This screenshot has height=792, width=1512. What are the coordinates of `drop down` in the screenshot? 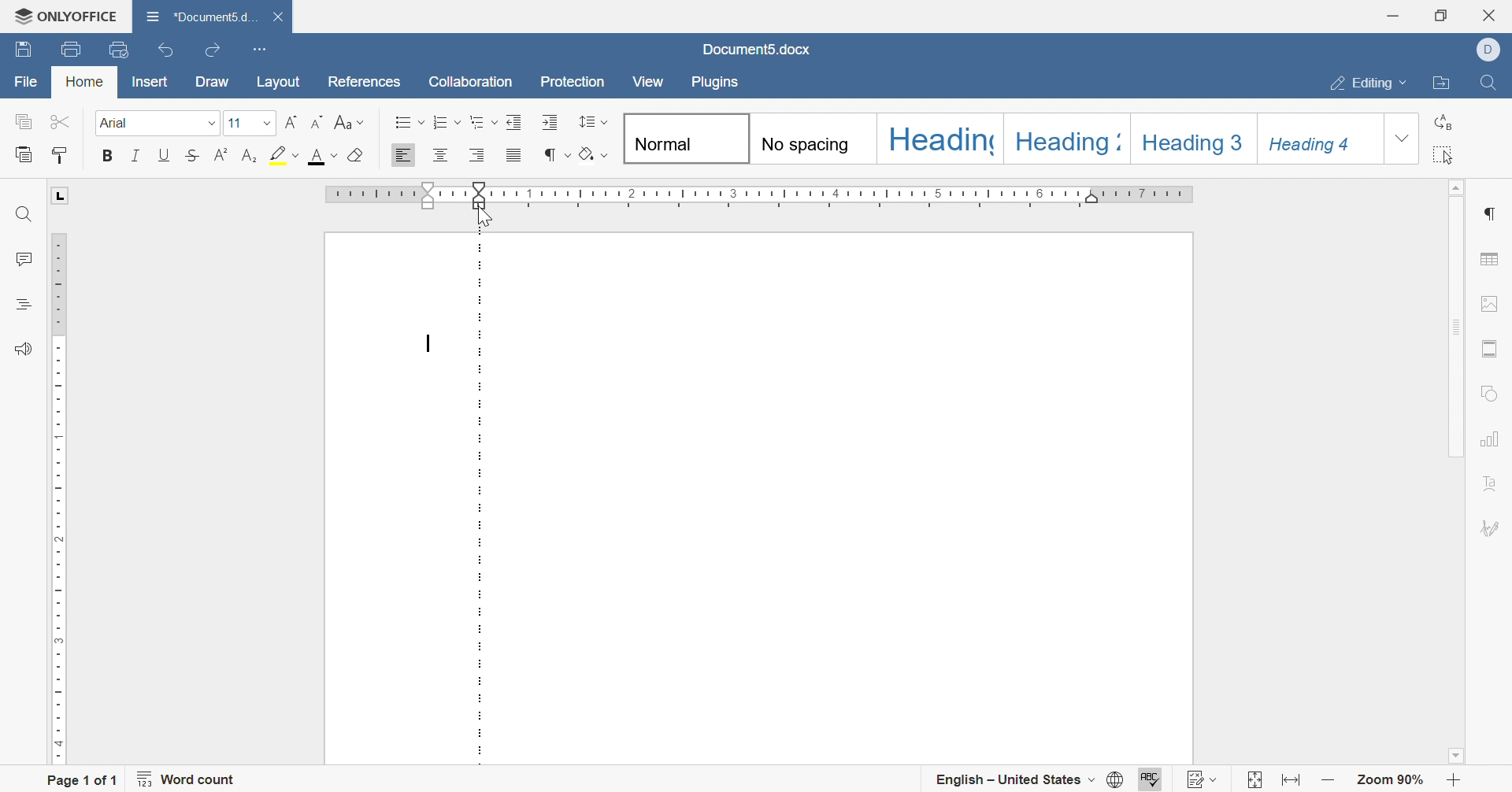 It's located at (210, 124).